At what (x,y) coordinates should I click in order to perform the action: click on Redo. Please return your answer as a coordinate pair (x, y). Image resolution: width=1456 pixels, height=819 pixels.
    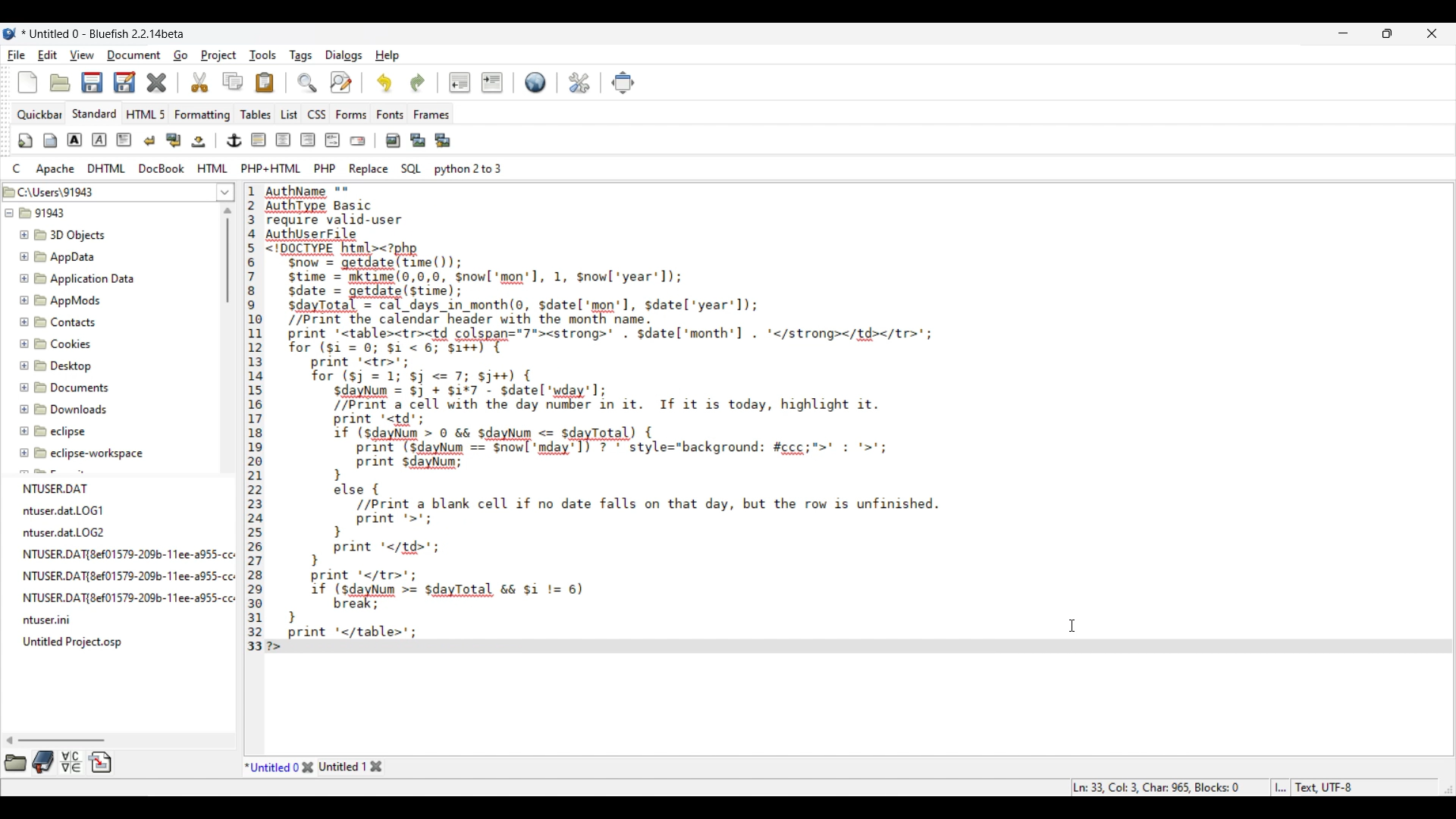
    Looking at the image, I should click on (418, 83).